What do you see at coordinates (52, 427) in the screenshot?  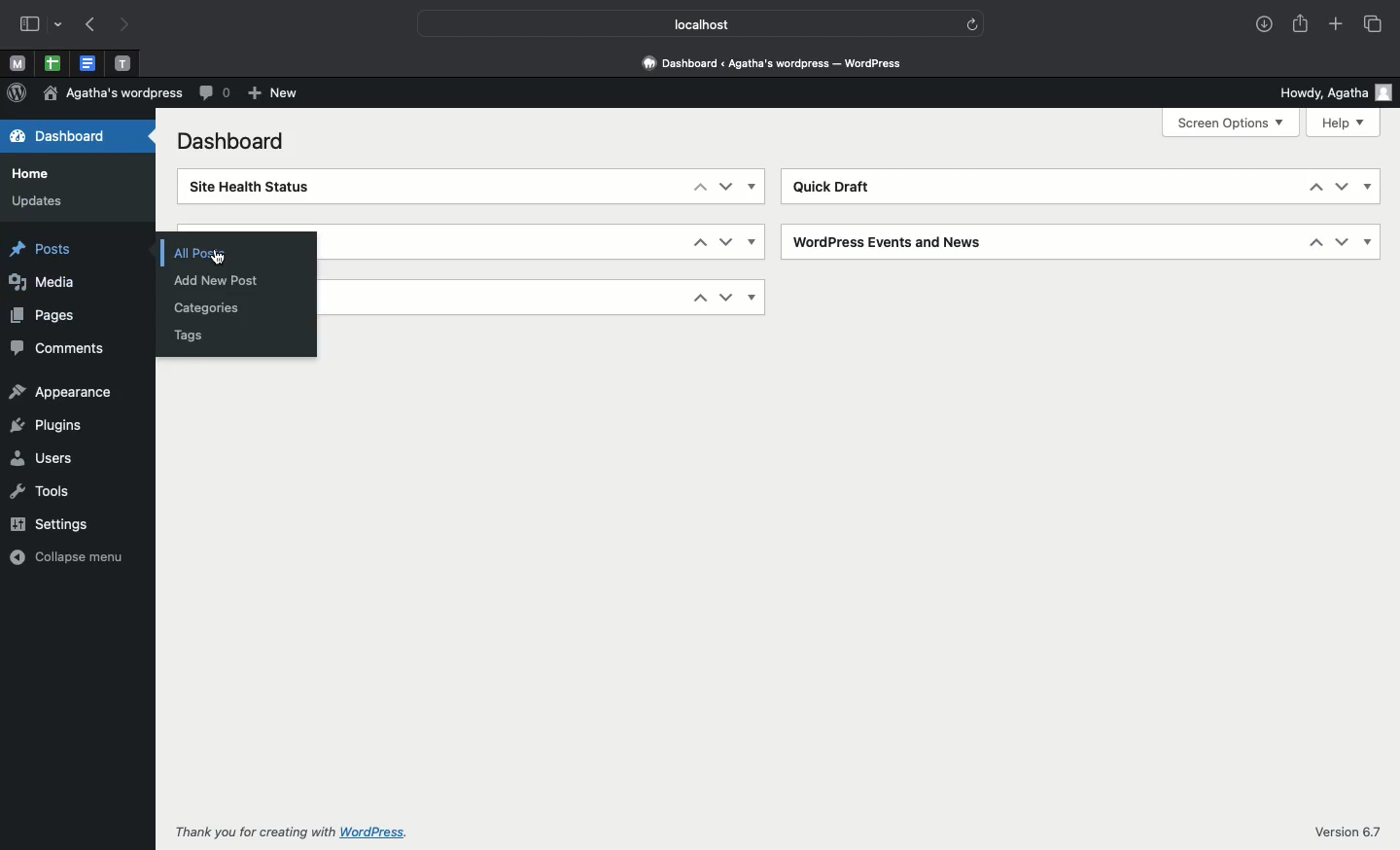 I see `Plugins` at bounding box center [52, 427].